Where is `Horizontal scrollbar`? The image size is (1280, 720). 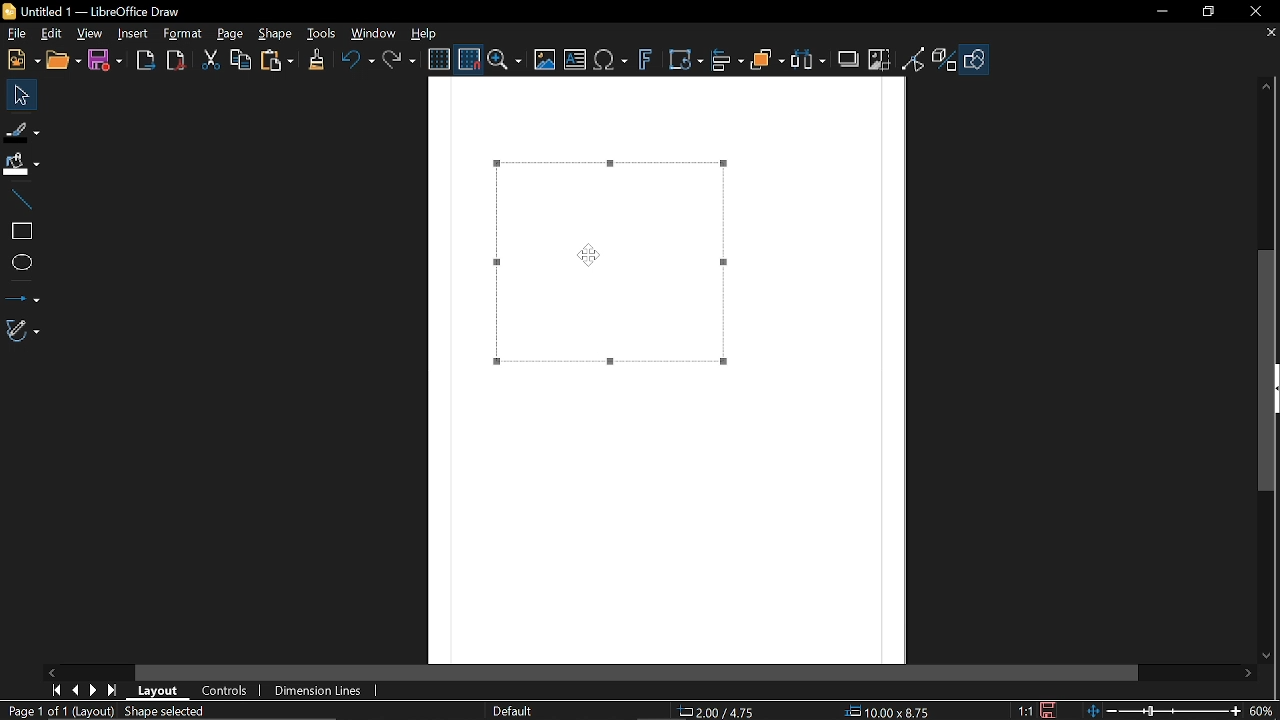 Horizontal scrollbar is located at coordinates (638, 673).